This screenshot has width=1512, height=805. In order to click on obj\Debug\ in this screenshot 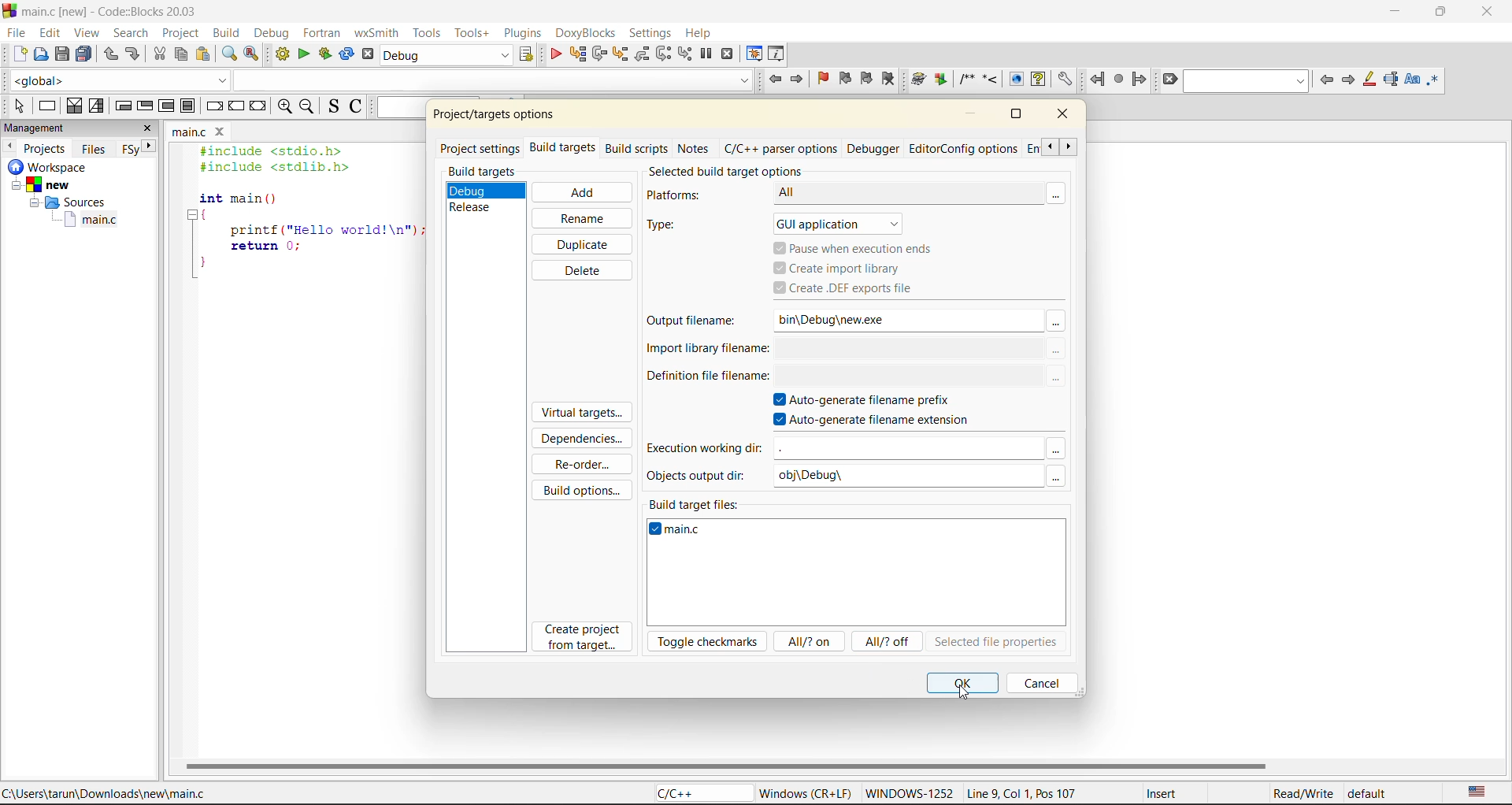, I will do `click(905, 476)`.